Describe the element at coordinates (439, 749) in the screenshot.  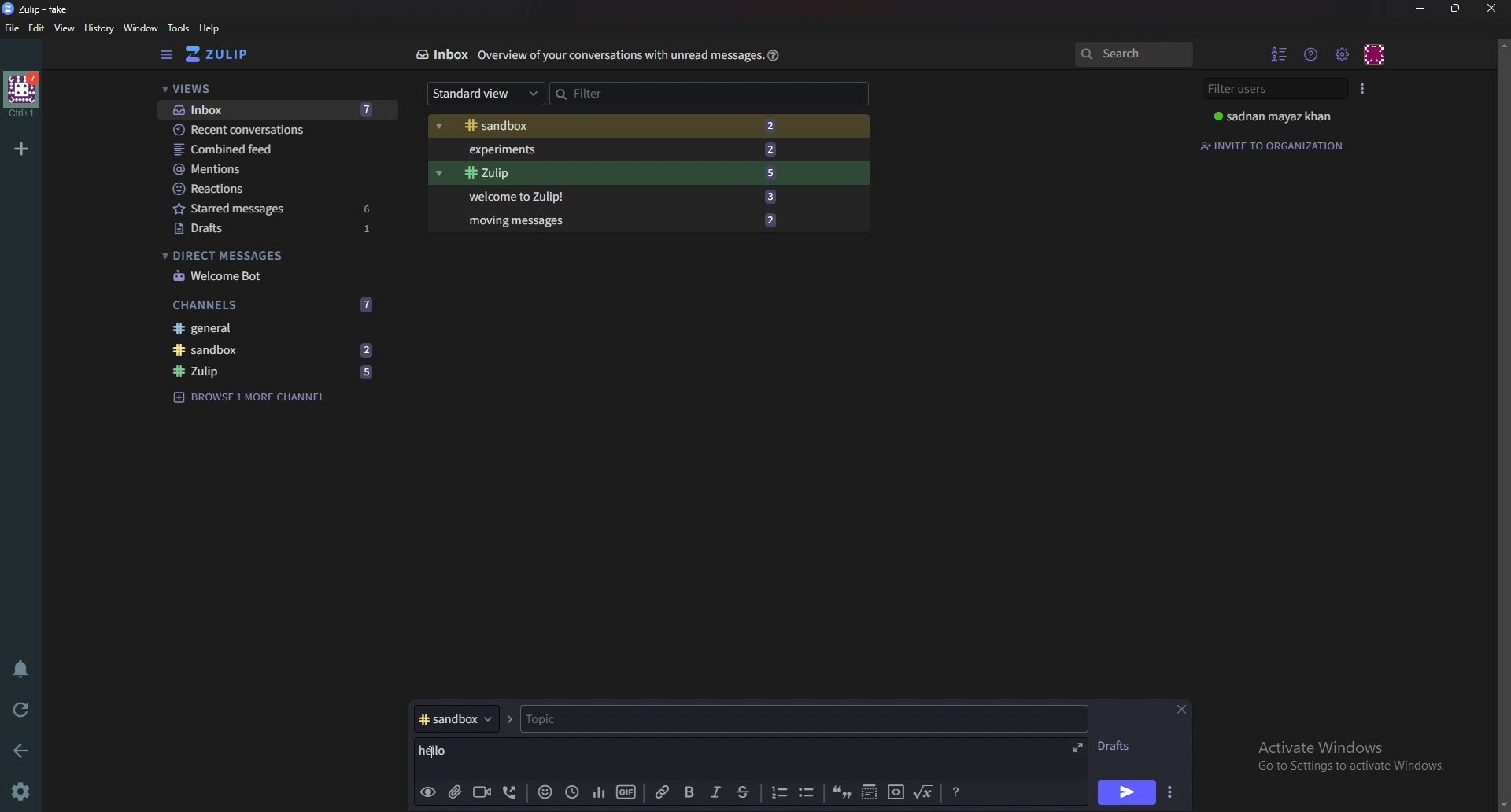
I see `hello` at that location.